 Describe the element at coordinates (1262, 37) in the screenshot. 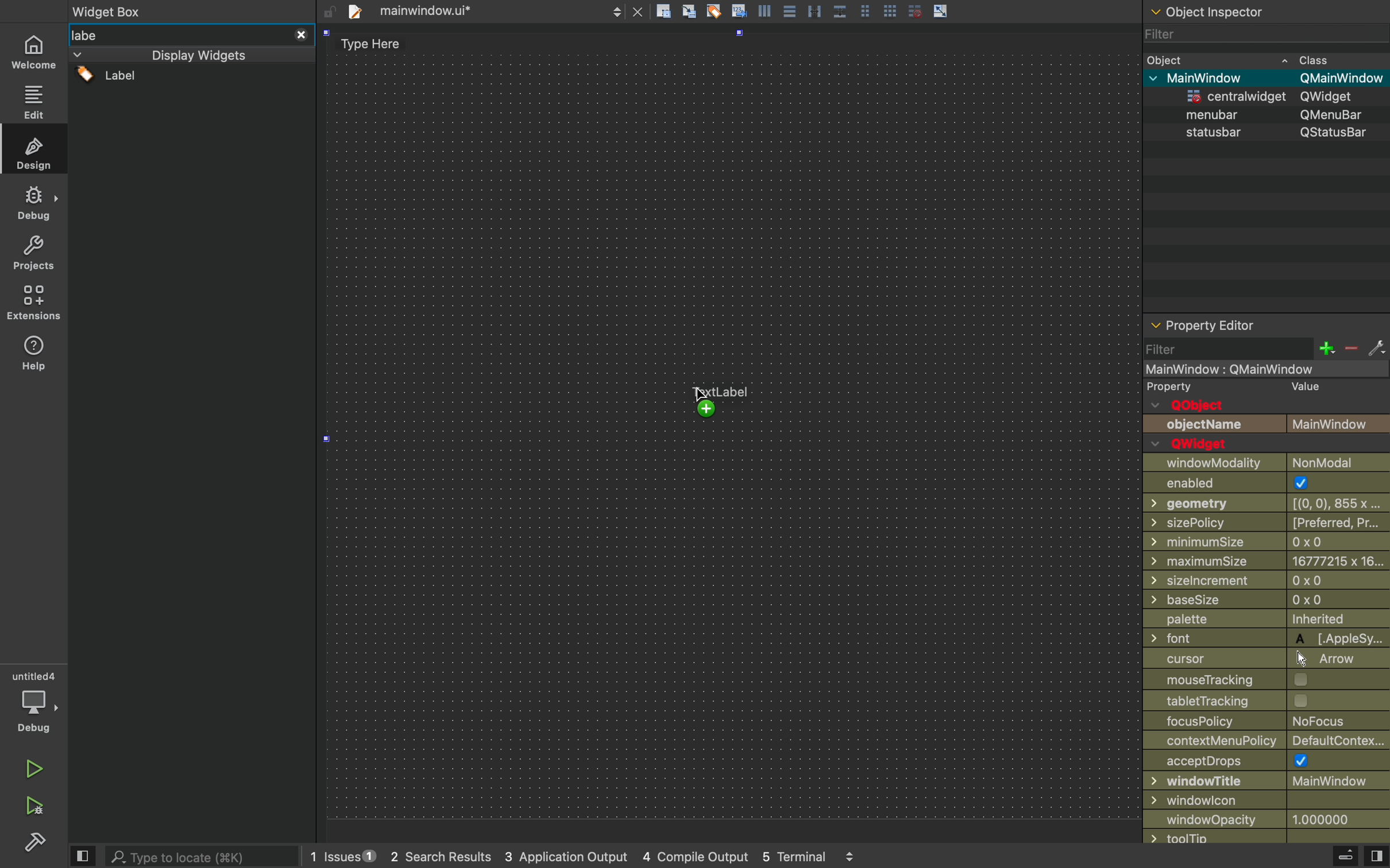

I see `filter` at that location.